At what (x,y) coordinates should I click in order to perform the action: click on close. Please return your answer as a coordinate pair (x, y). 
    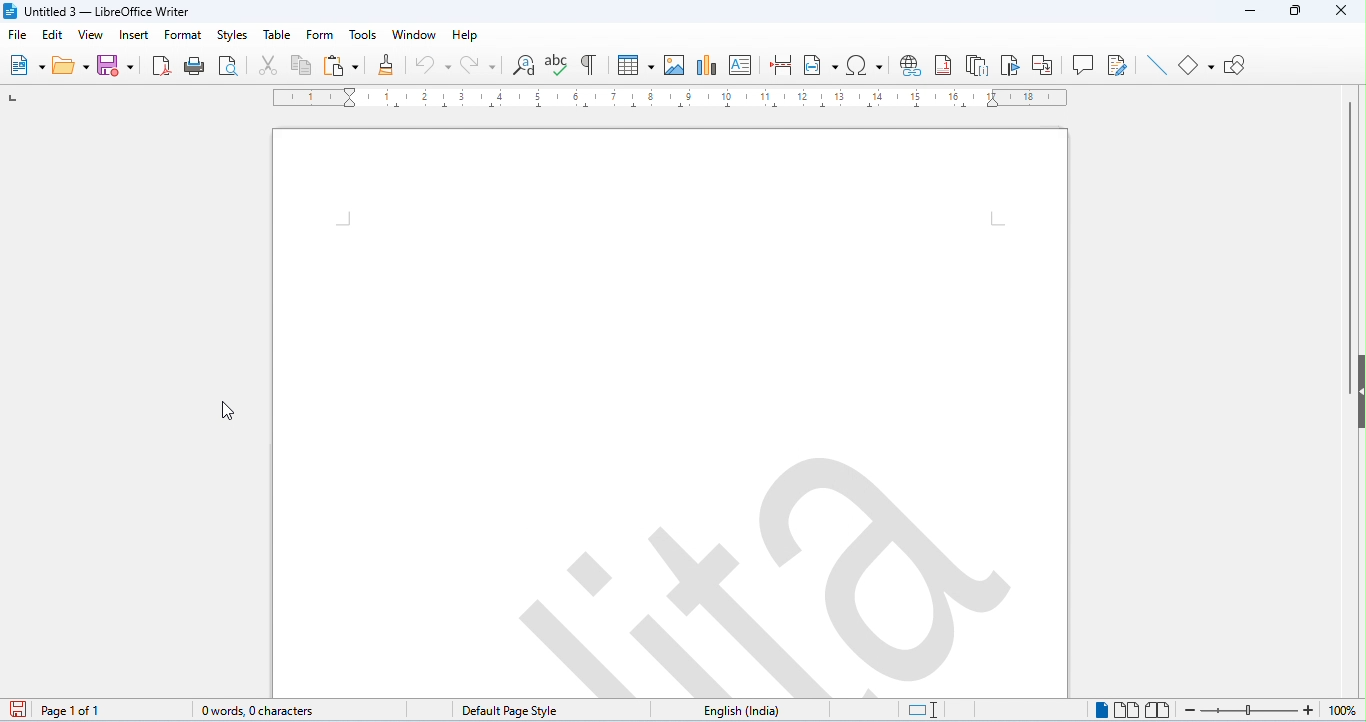
    Looking at the image, I should click on (1339, 10).